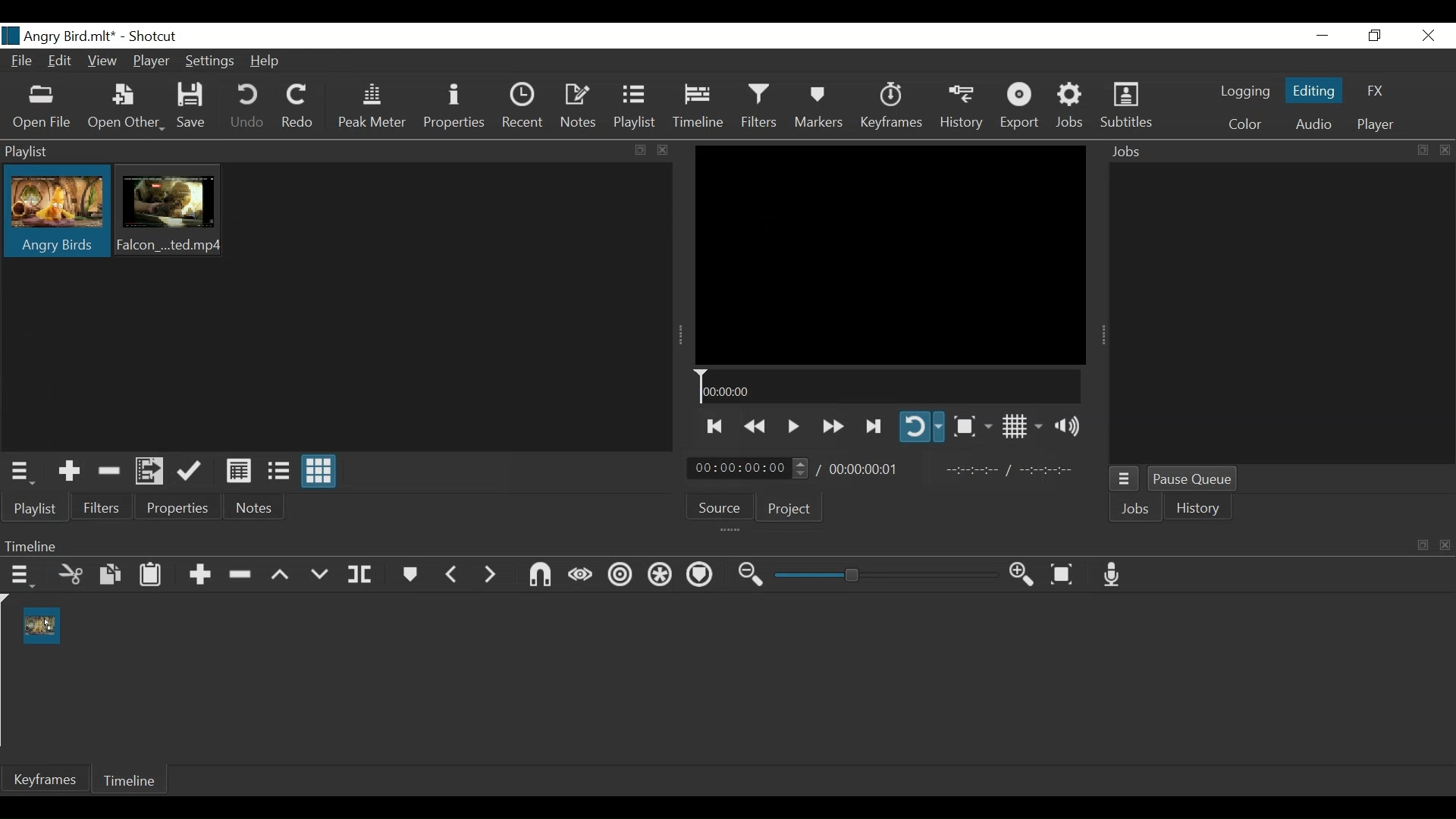 The height and width of the screenshot is (819, 1456). Describe the element at coordinates (1017, 469) in the screenshot. I see `In point` at that location.